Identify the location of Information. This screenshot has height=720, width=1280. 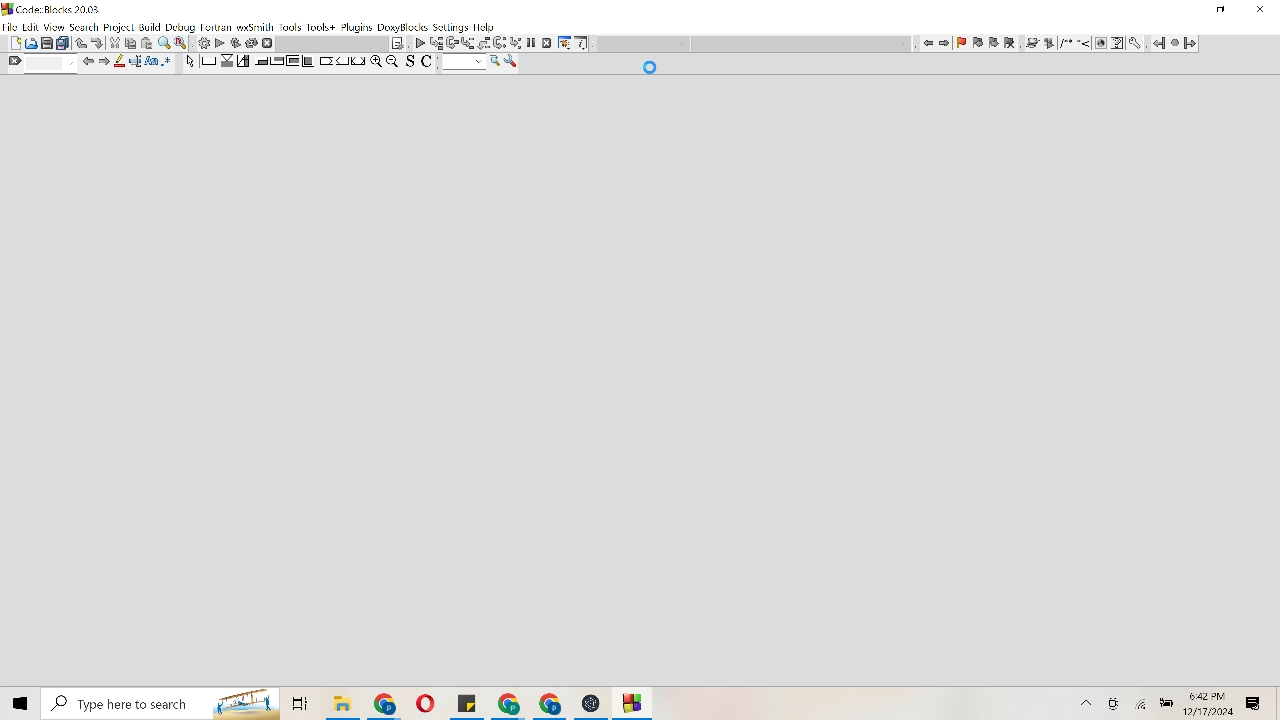
(583, 44).